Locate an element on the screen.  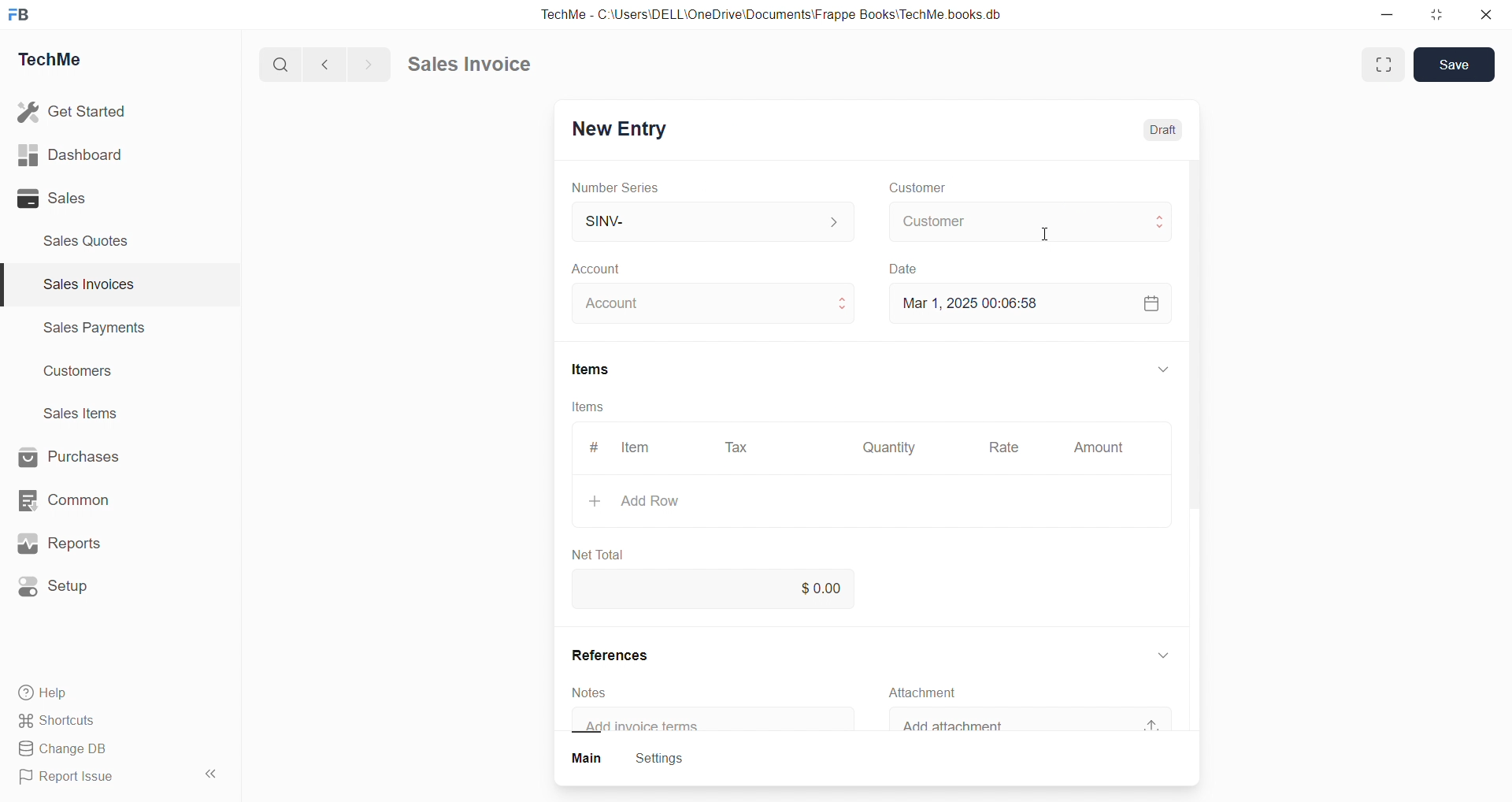
SINV- is located at coordinates (694, 221).